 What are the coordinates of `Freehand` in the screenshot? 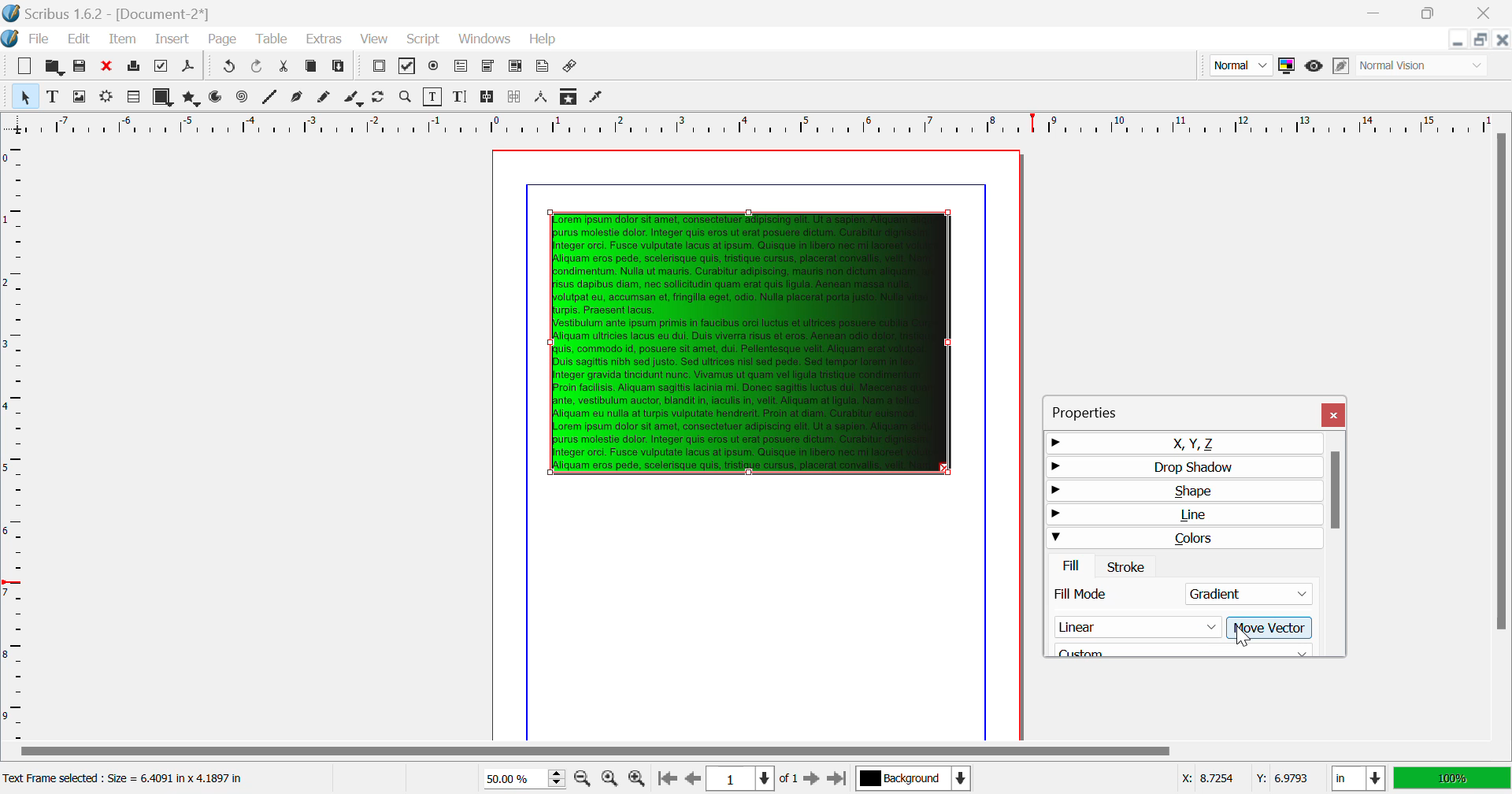 It's located at (326, 98).